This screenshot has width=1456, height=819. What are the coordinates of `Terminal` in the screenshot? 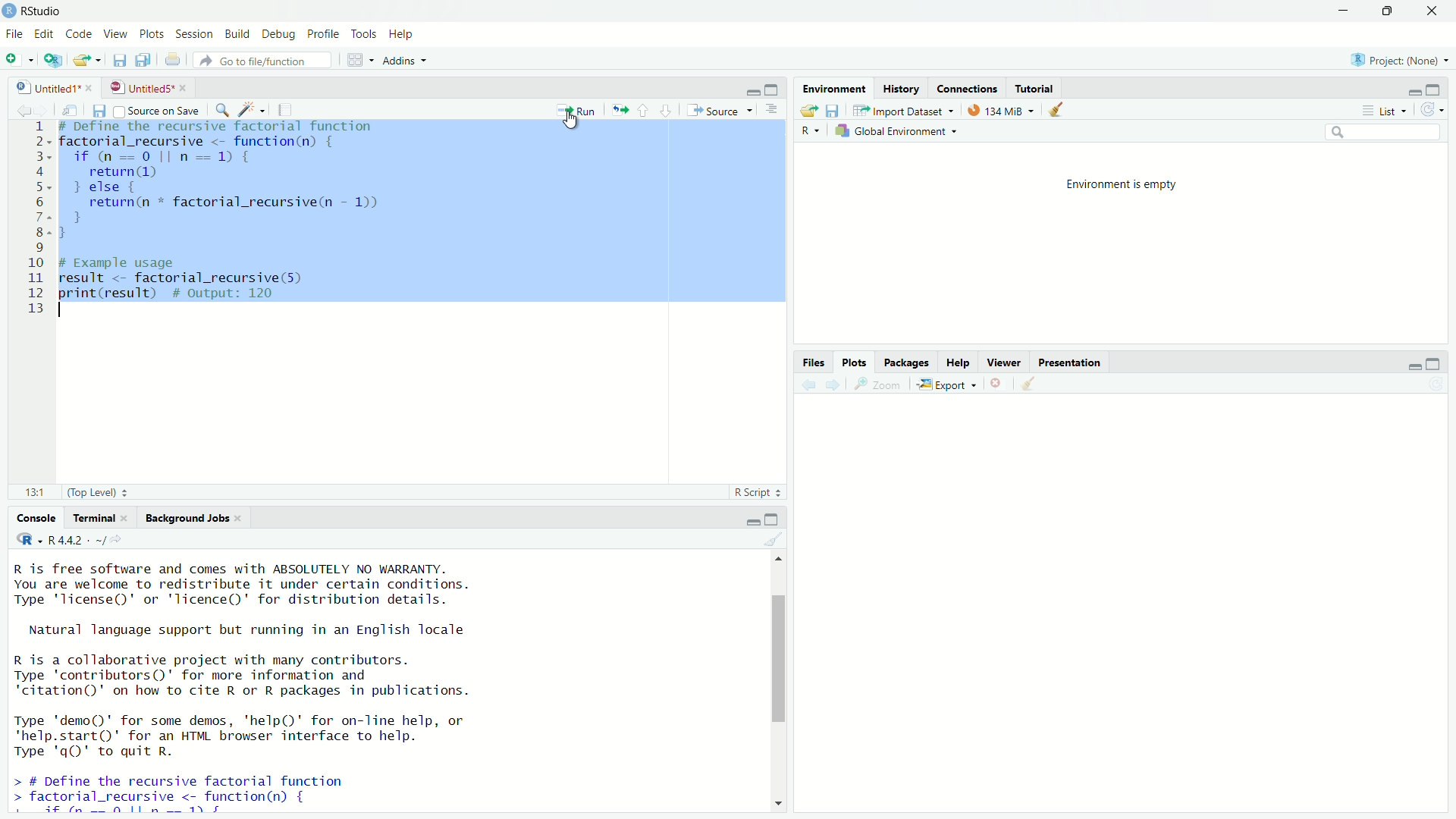 It's located at (103, 518).